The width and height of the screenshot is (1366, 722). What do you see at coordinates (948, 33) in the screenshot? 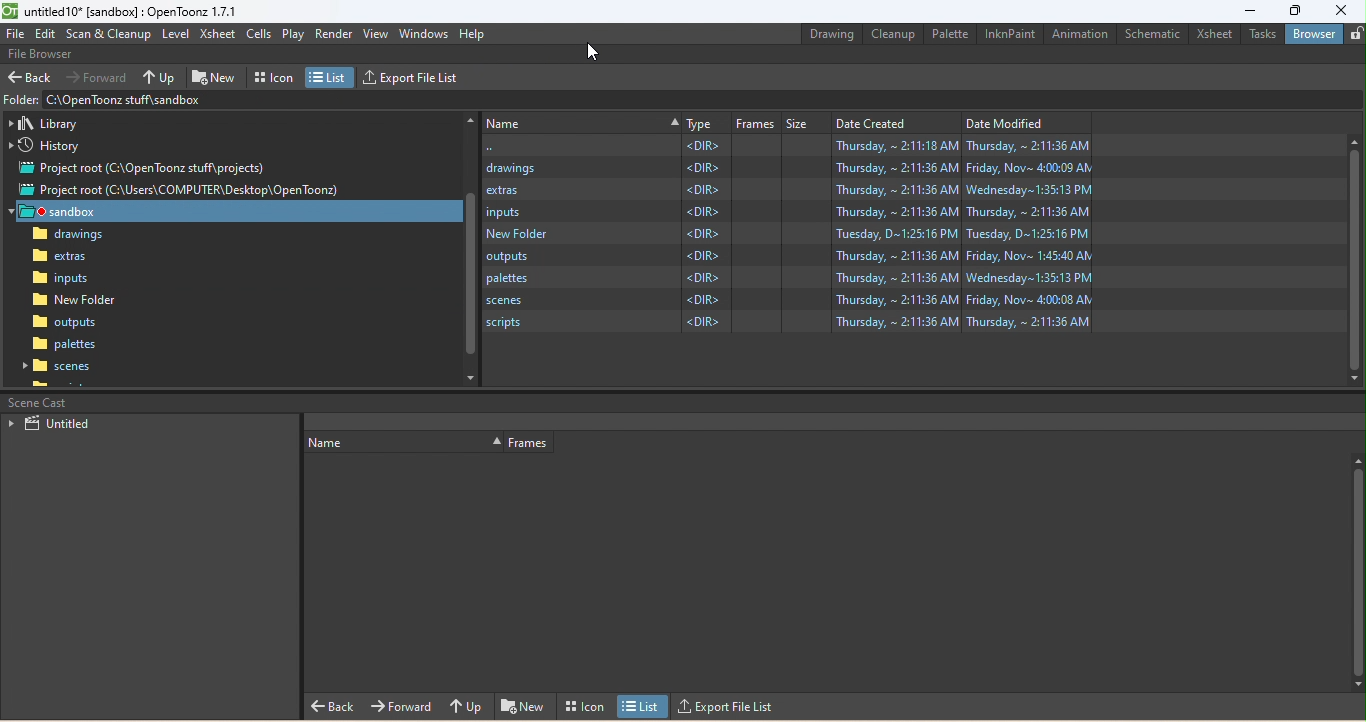
I see `Palette` at bounding box center [948, 33].